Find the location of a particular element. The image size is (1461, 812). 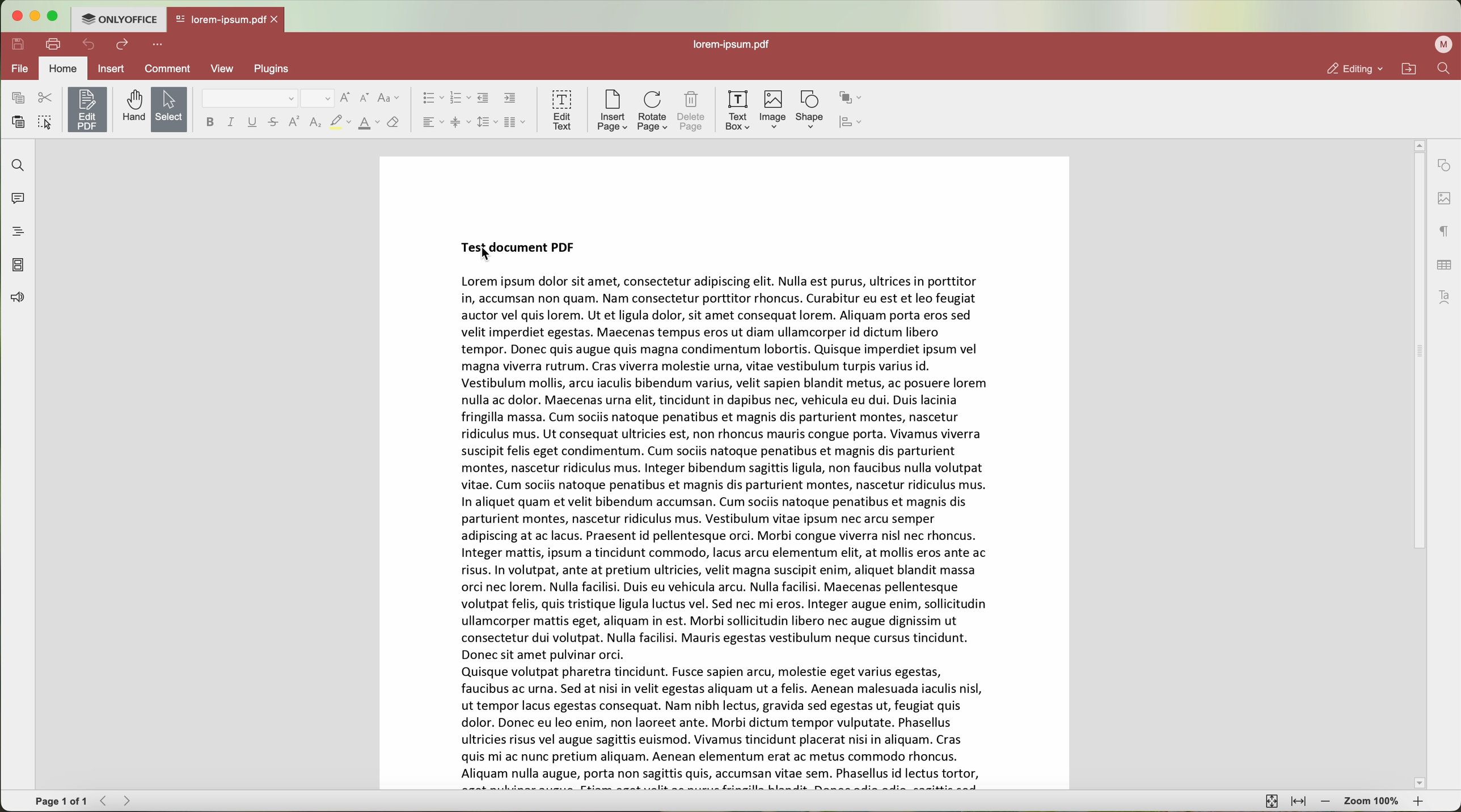

fit to page is located at coordinates (1270, 801).